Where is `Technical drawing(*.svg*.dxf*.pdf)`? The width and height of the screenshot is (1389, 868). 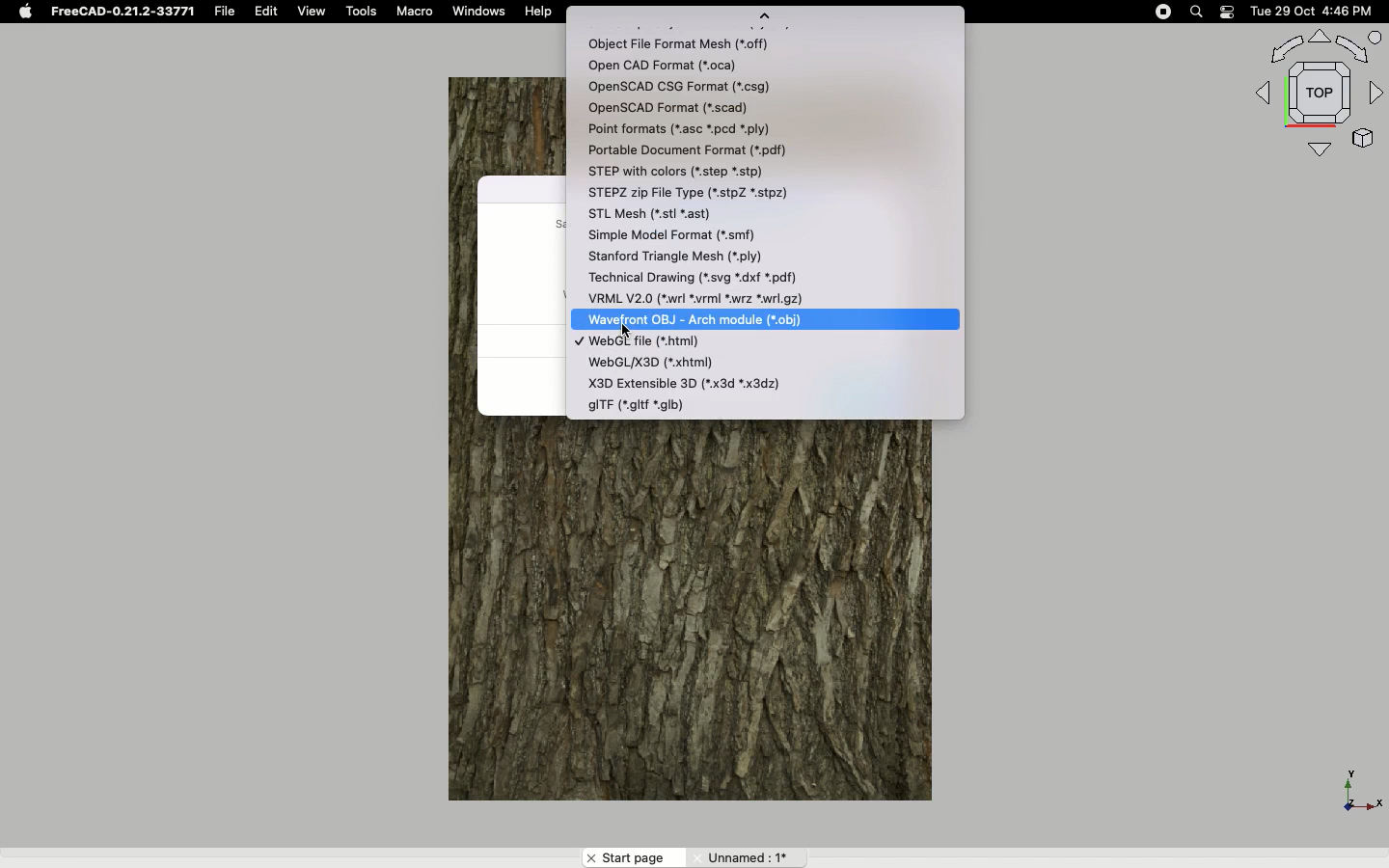
Technical drawing(*.svg*.dxf*.pdf) is located at coordinates (717, 275).